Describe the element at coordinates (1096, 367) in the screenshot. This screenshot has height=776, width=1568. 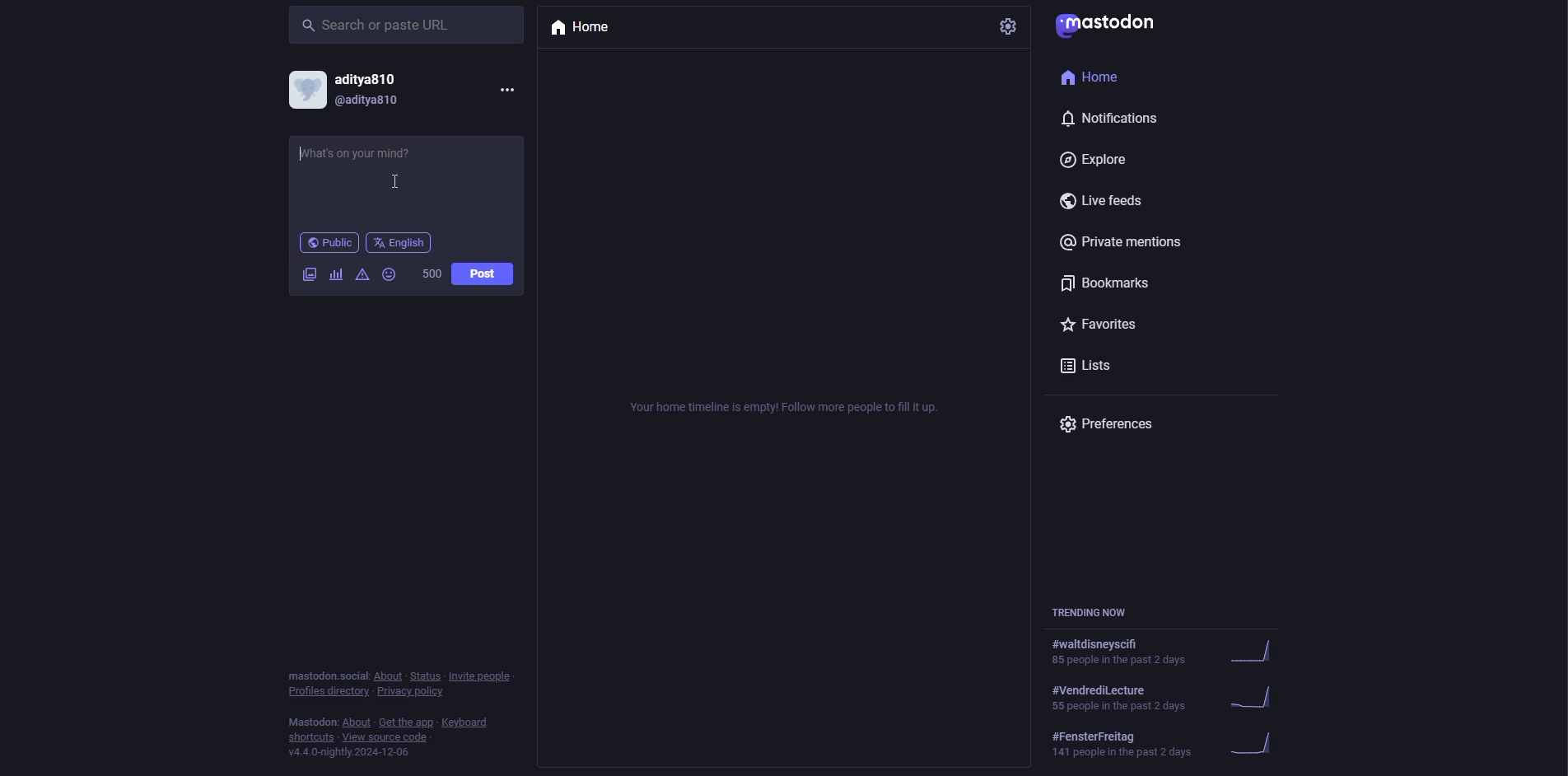
I see `lists` at that location.